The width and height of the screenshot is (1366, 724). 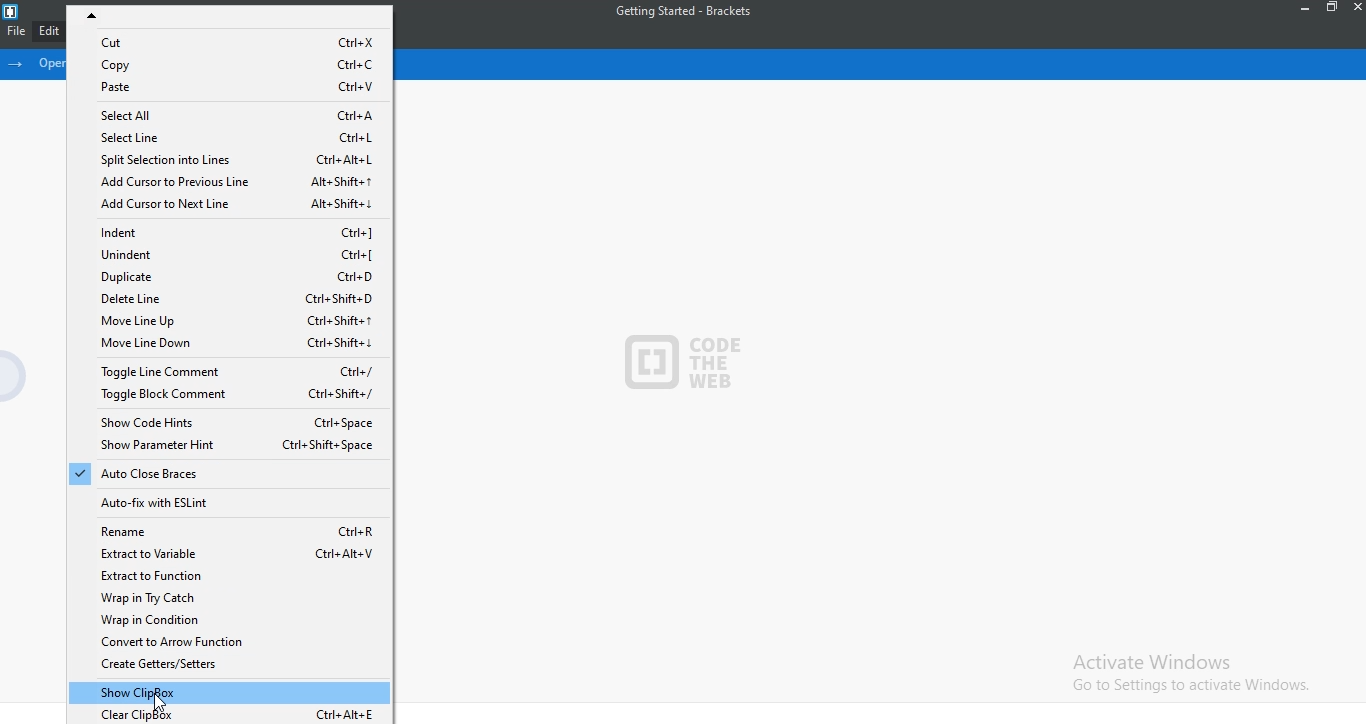 I want to click on file, so click(x=12, y=33).